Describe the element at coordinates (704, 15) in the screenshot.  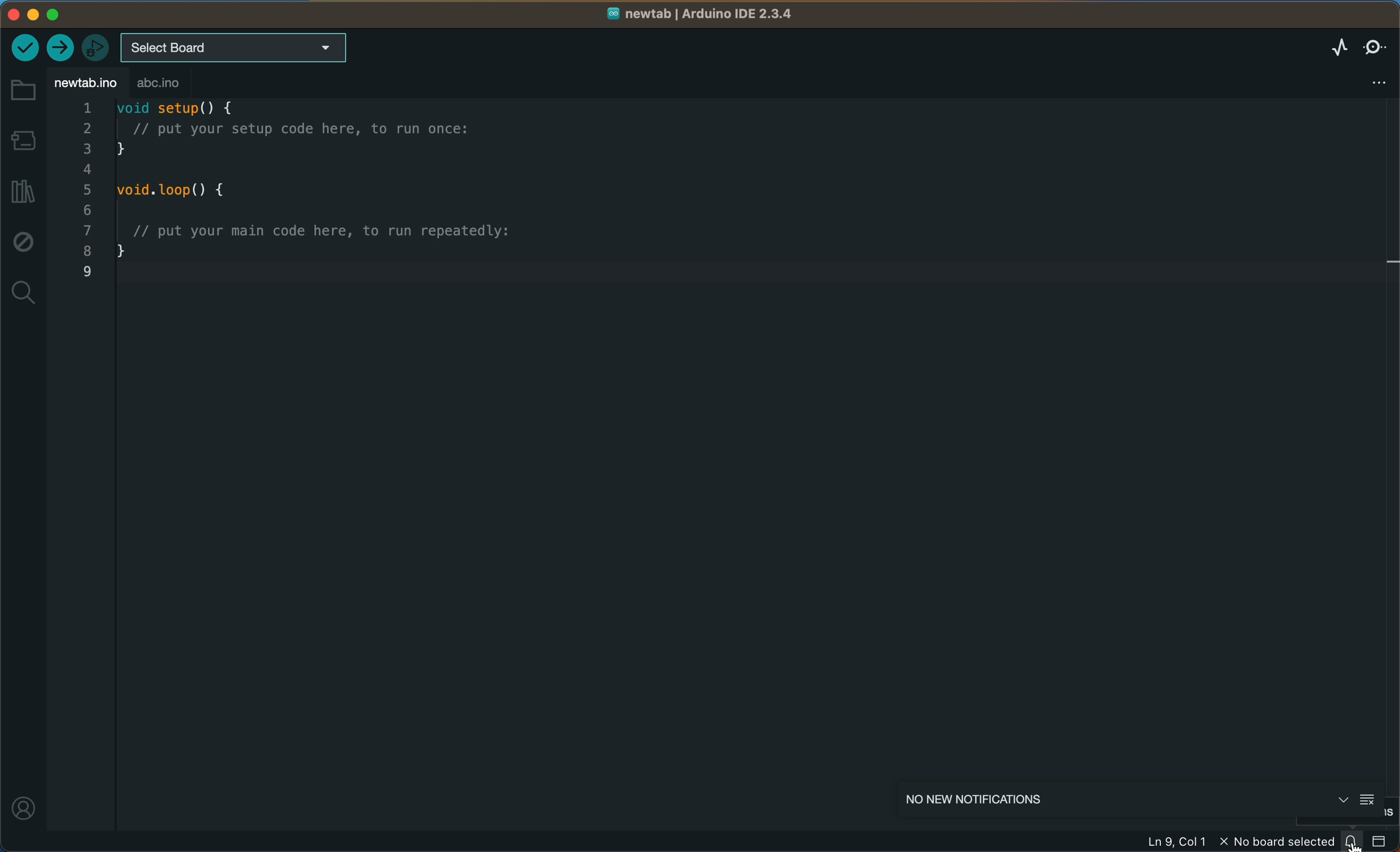
I see `file name` at that location.